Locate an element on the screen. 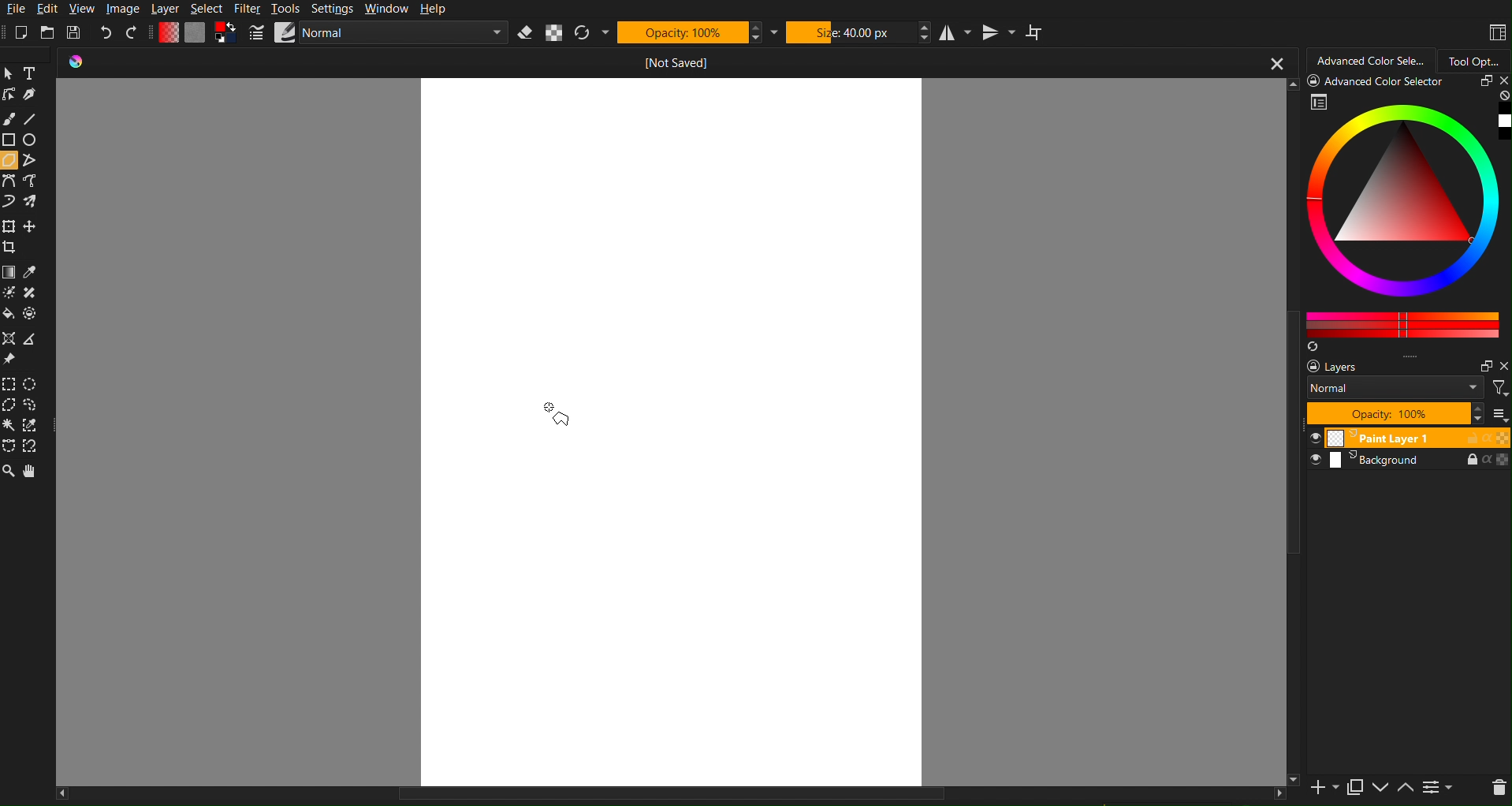 This screenshot has width=1512, height=806. transform a layer or a selection is located at coordinates (9, 225).